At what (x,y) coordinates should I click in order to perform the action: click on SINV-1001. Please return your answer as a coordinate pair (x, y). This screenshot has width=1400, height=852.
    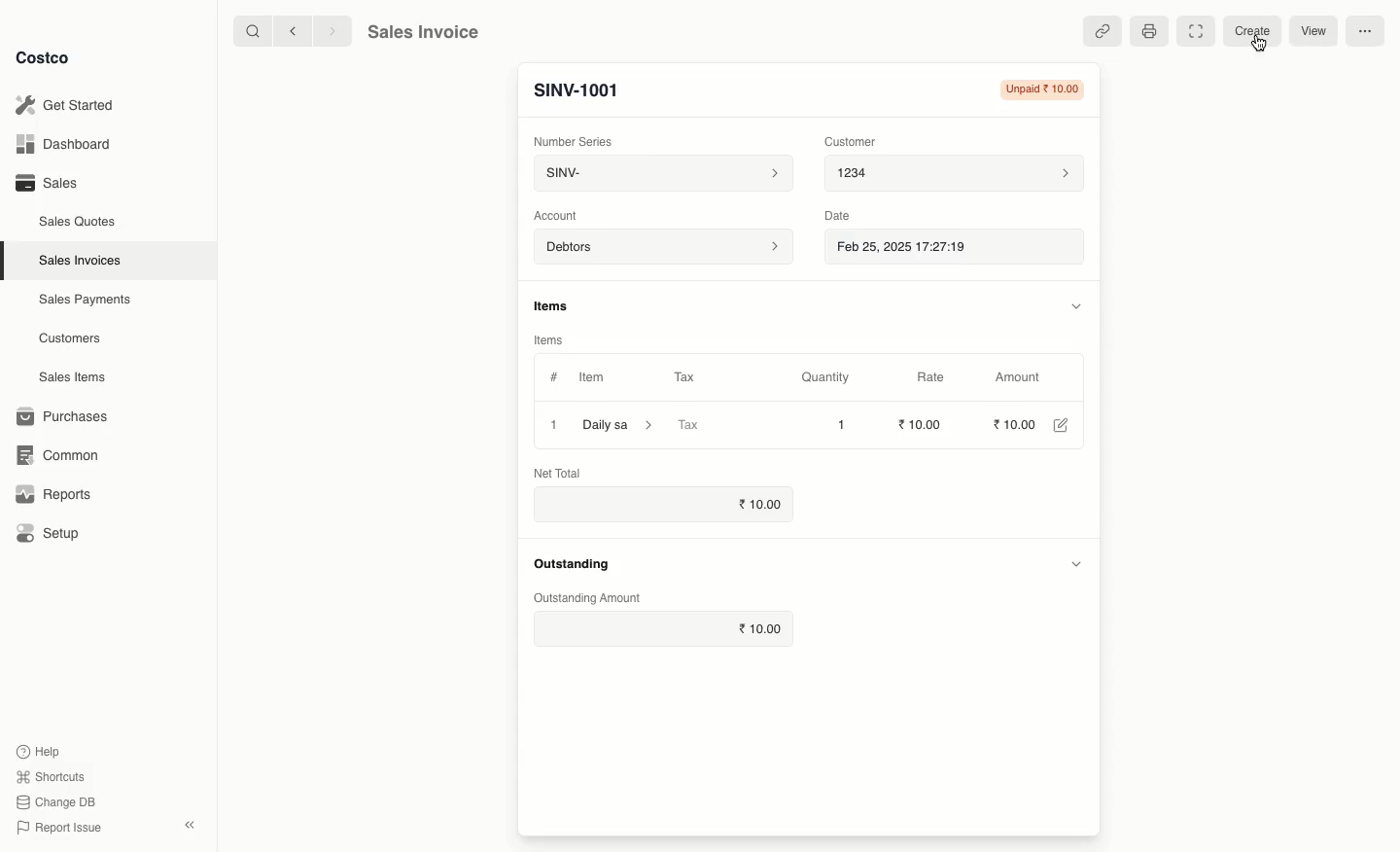
    Looking at the image, I should click on (586, 89).